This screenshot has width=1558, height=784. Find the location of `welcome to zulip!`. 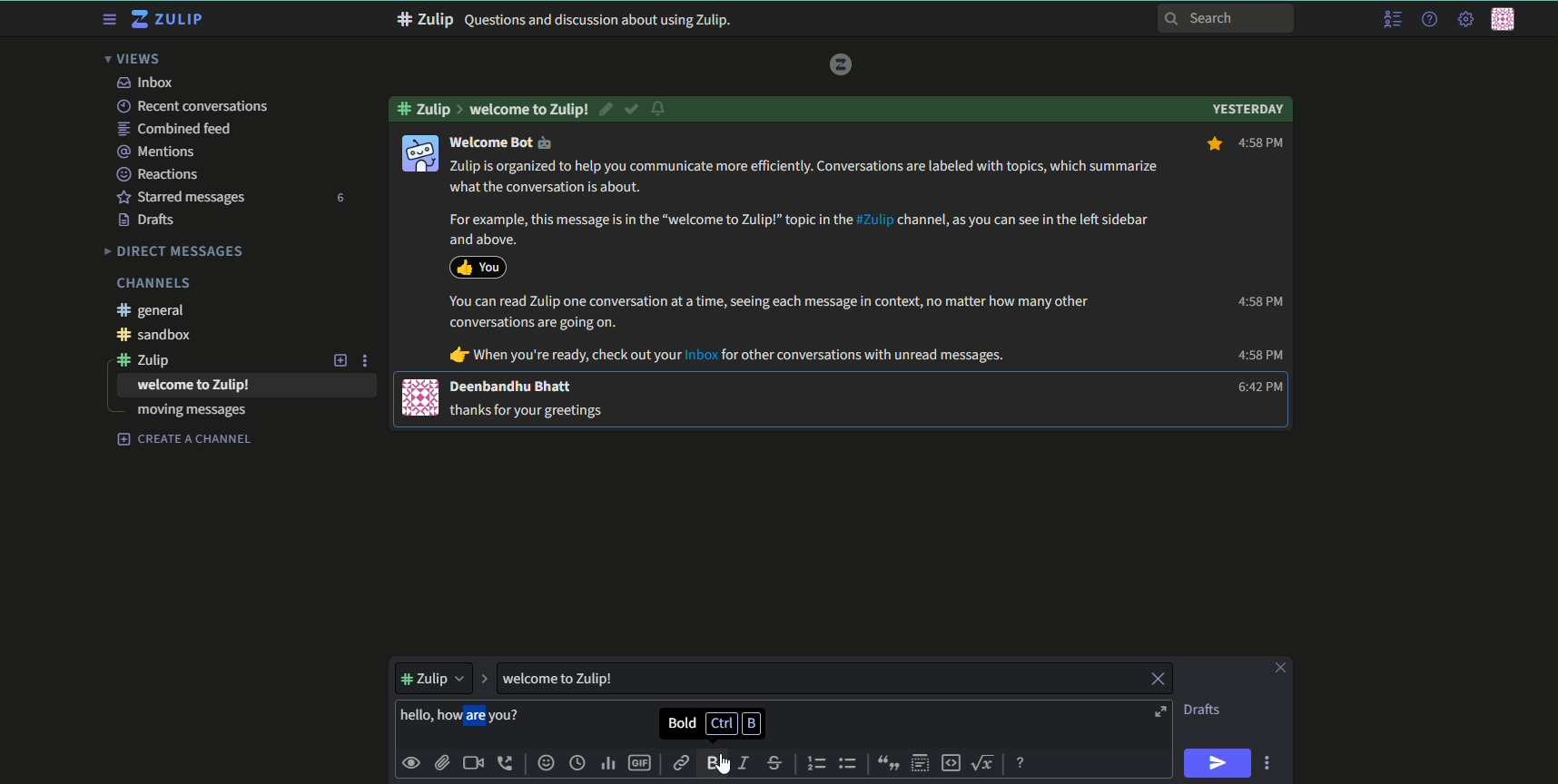

welcome to zulip! is located at coordinates (529, 109).